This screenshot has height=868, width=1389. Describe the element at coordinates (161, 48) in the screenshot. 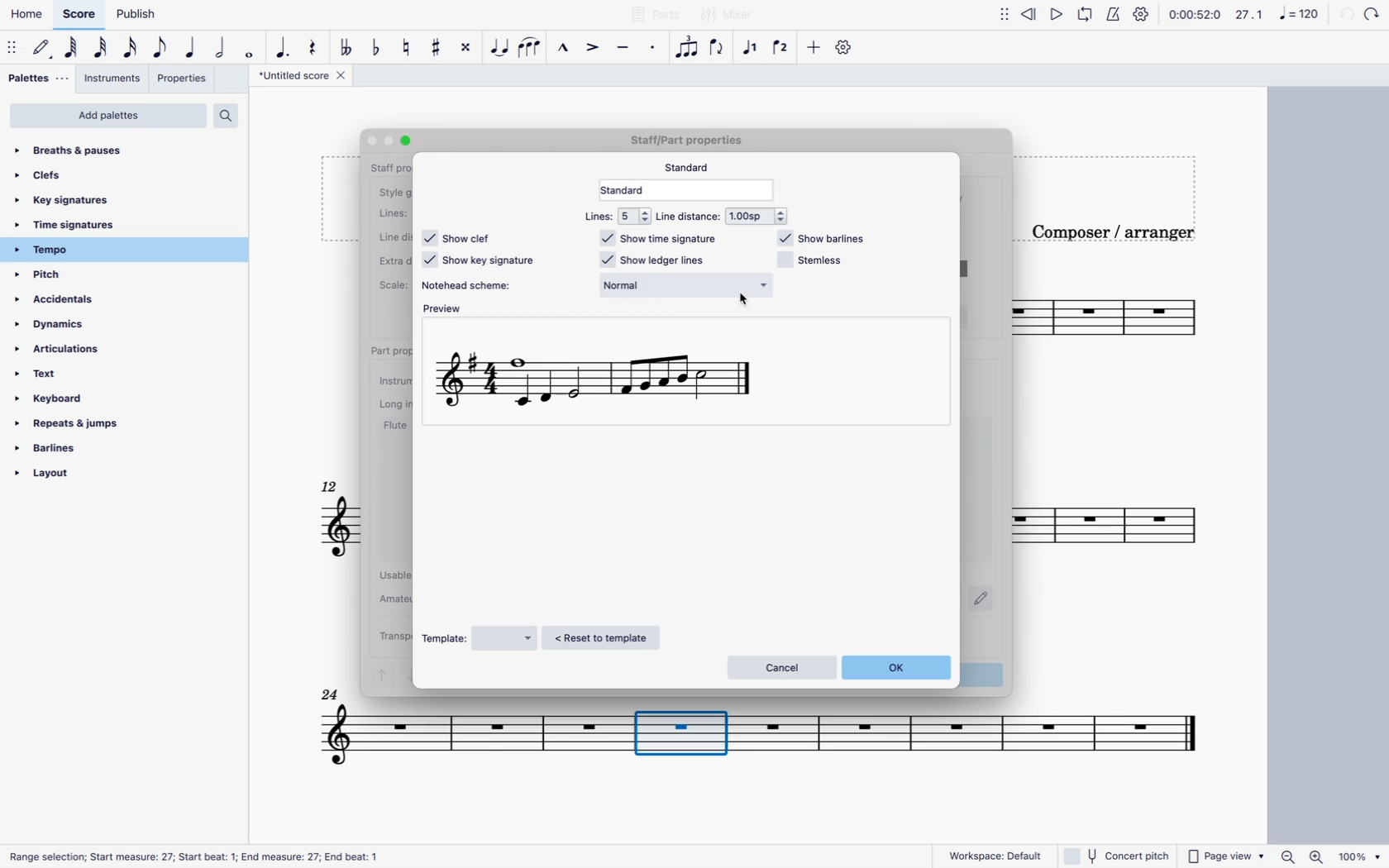

I see `eighth note` at that location.